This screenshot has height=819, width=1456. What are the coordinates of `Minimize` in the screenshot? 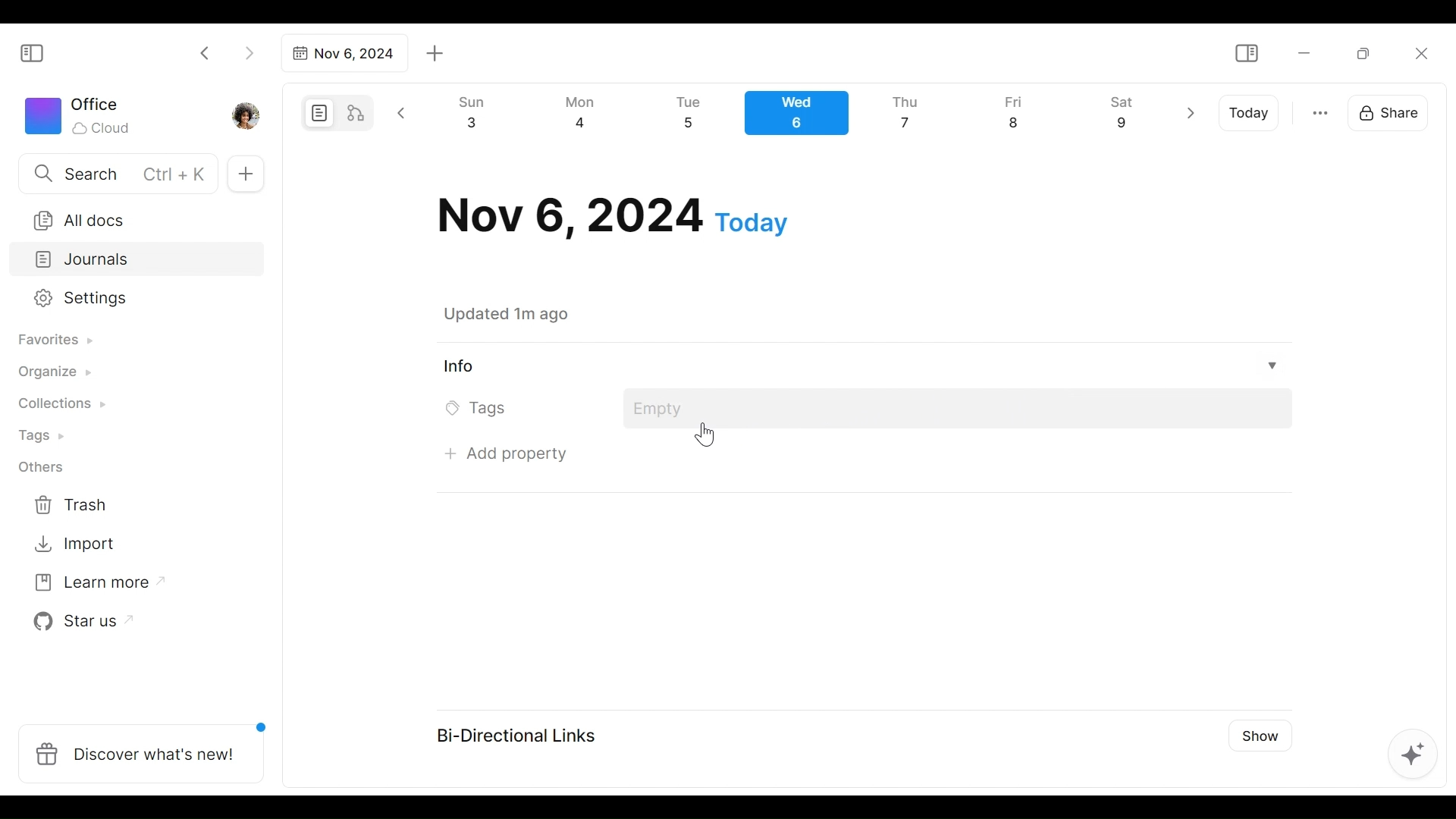 It's located at (1304, 52).